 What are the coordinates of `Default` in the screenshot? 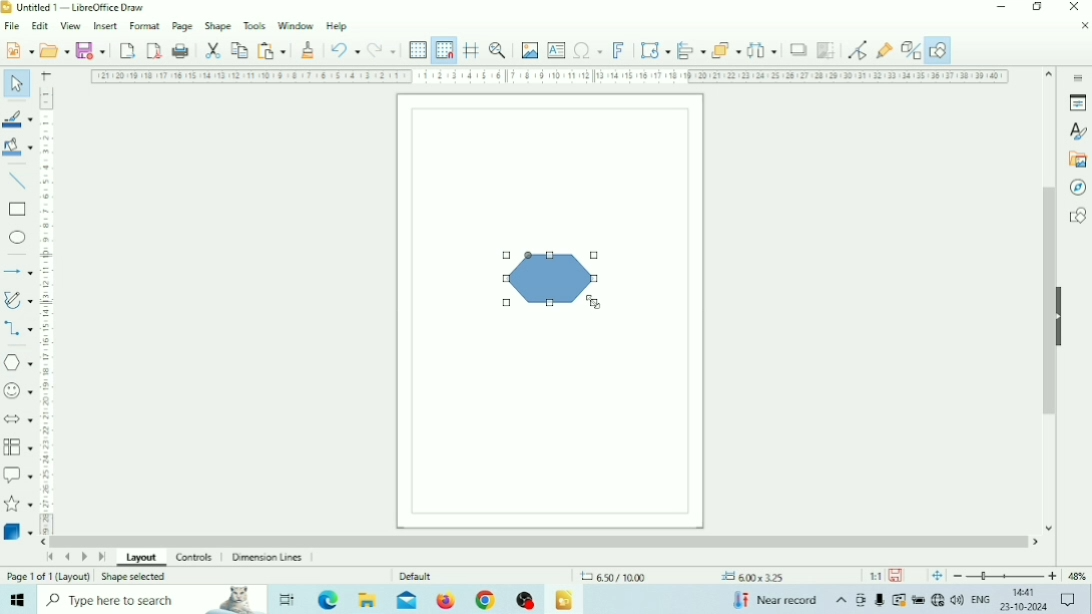 It's located at (416, 576).